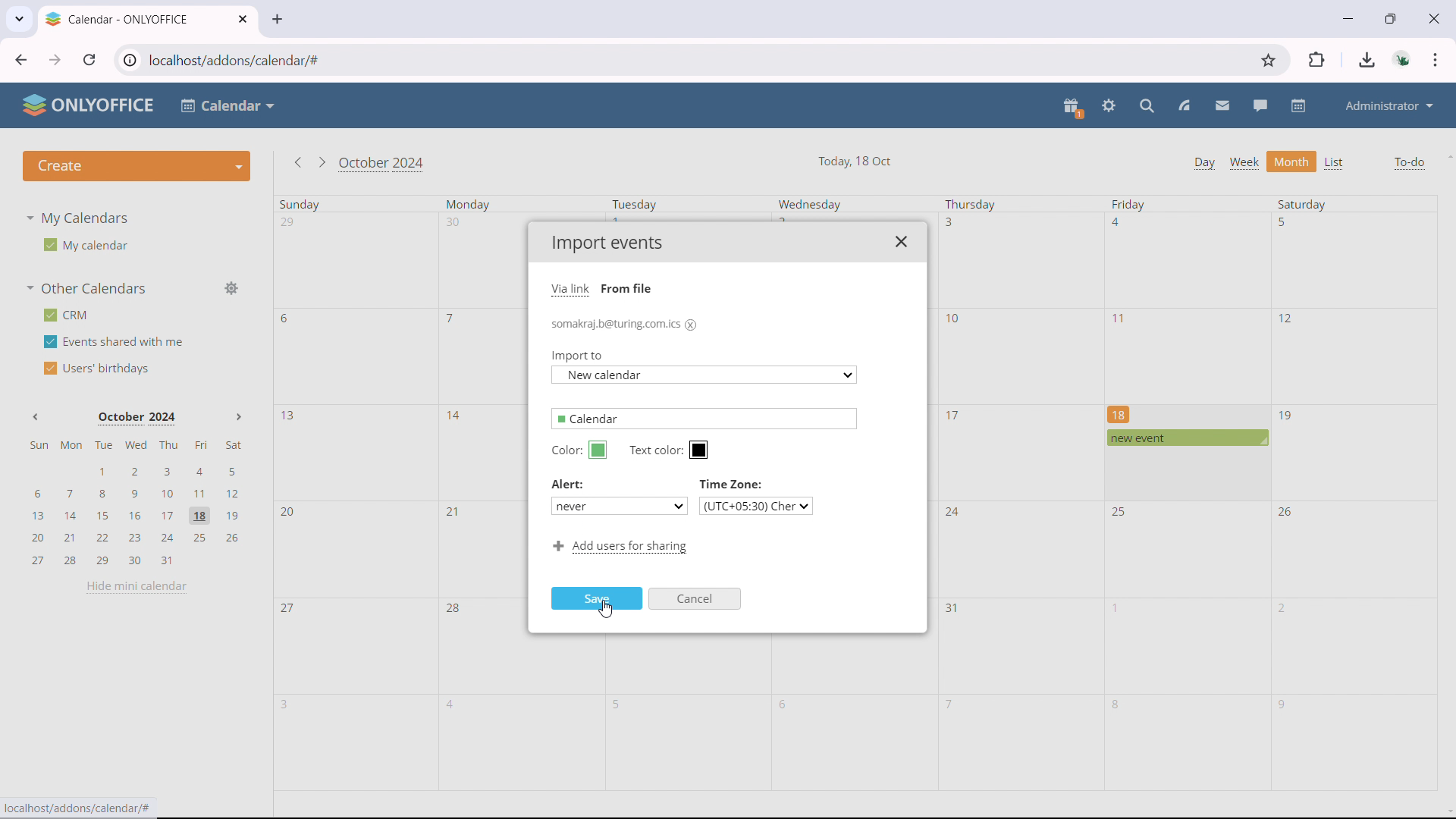 This screenshot has width=1456, height=819. Describe the element at coordinates (321, 162) in the screenshot. I see `go to next month` at that location.